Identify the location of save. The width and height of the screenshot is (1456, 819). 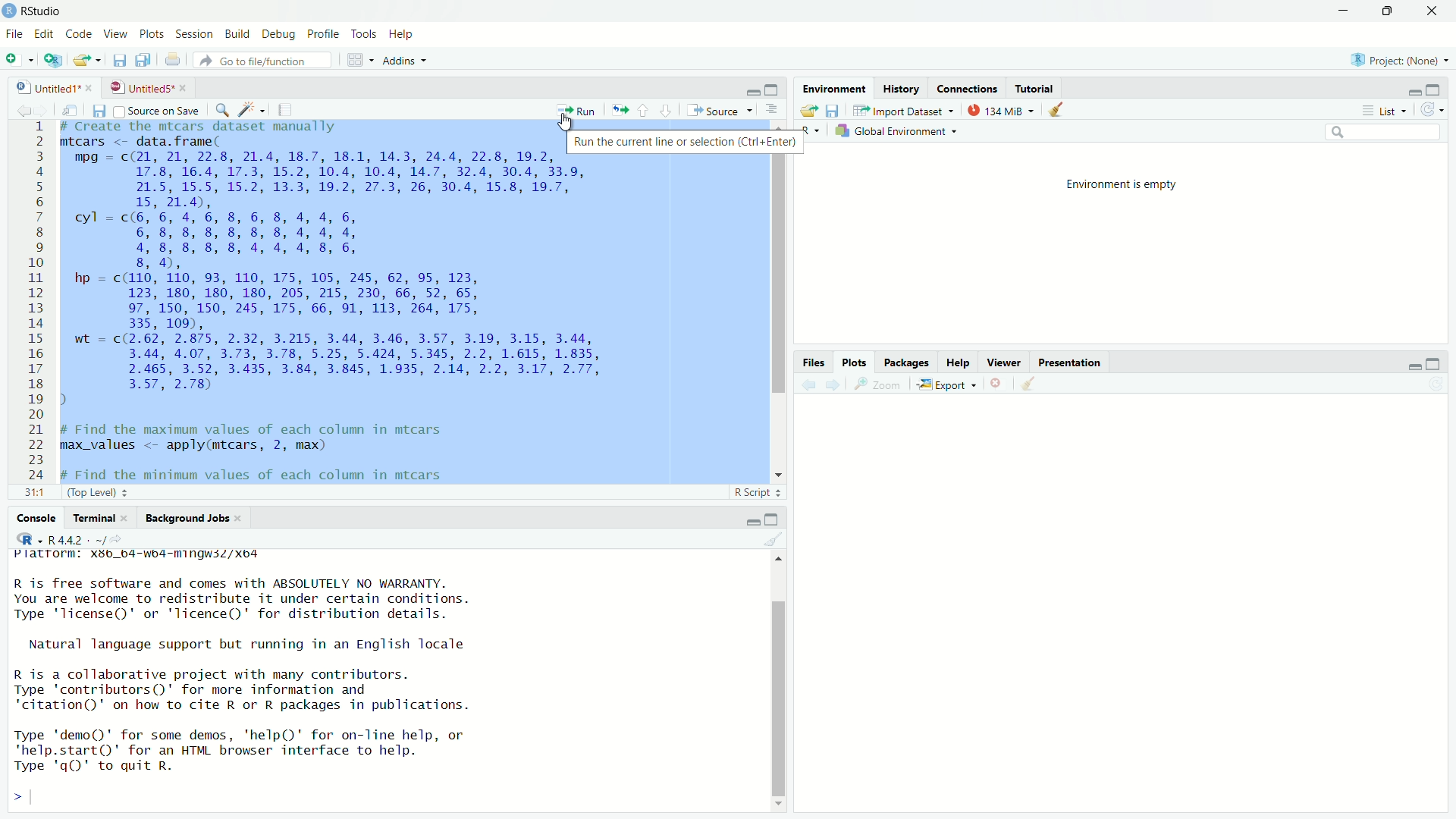
(118, 62).